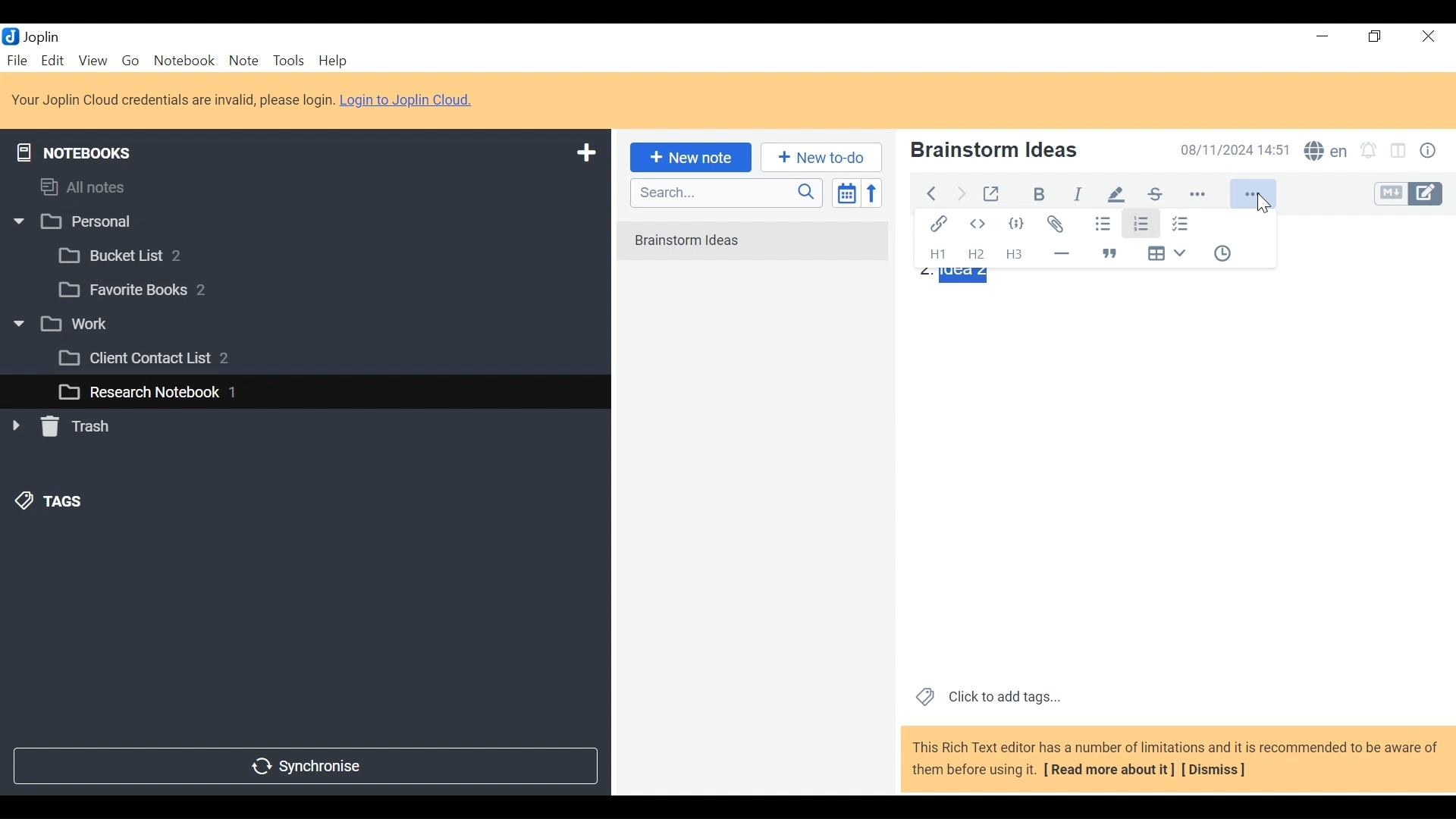 The width and height of the screenshot is (1456, 819). Describe the element at coordinates (1015, 225) in the screenshot. I see `Code Block` at that location.